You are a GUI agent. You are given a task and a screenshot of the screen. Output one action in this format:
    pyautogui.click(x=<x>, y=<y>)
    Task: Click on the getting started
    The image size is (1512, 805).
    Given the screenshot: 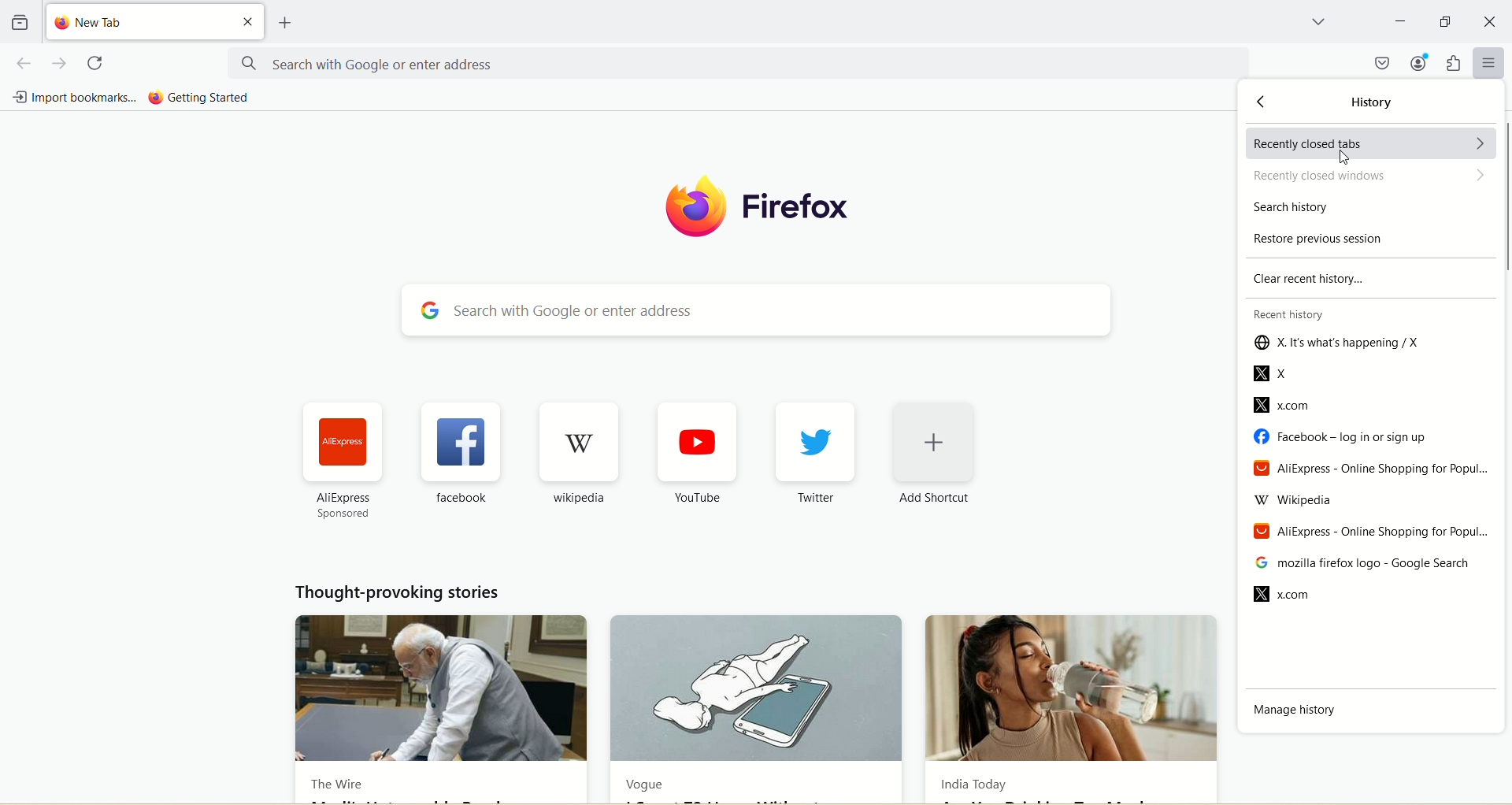 What is the action you would take?
    pyautogui.click(x=204, y=98)
    